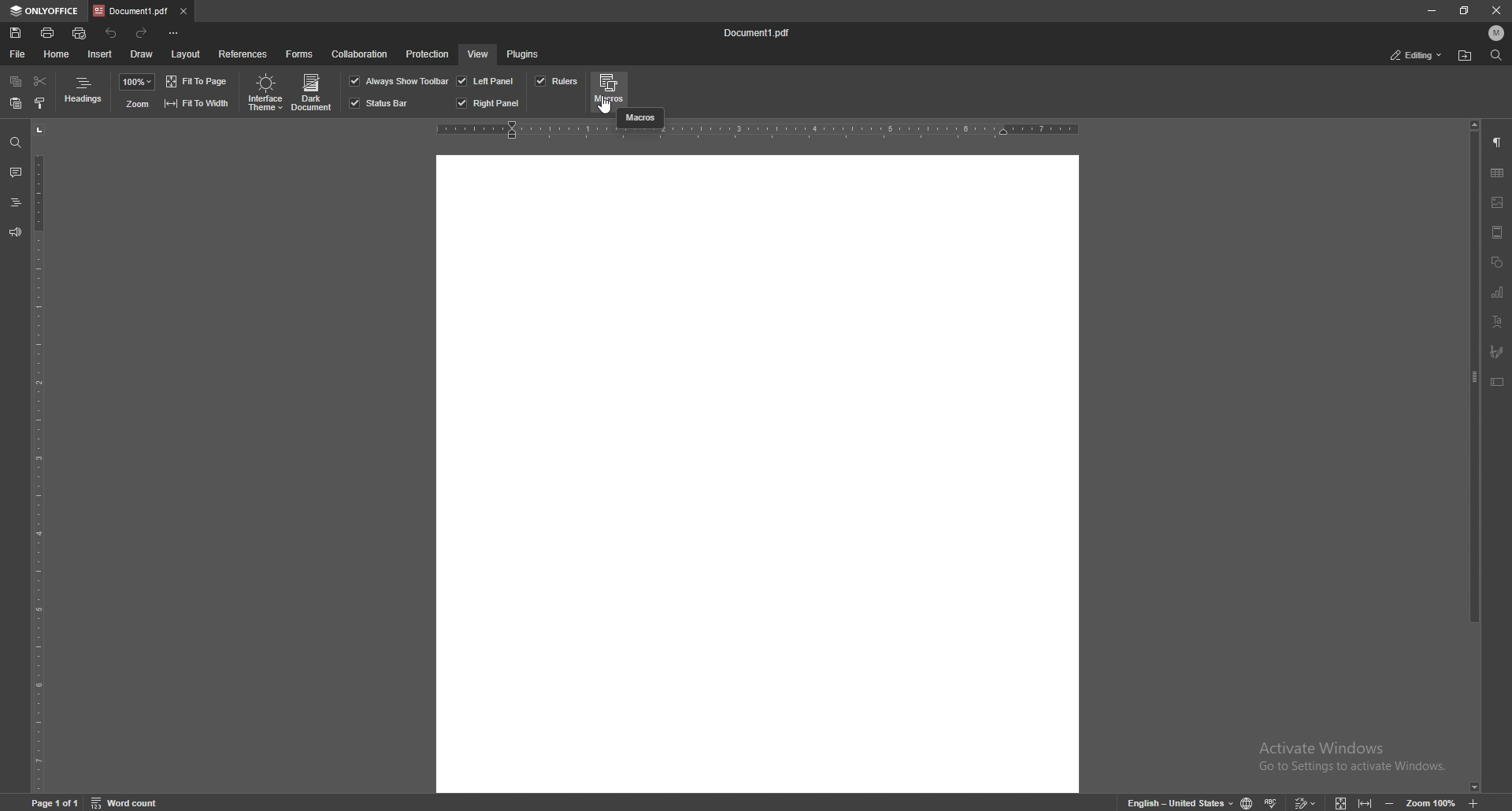 The image size is (1512, 811). I want to click on close tab, so click(183, 10).